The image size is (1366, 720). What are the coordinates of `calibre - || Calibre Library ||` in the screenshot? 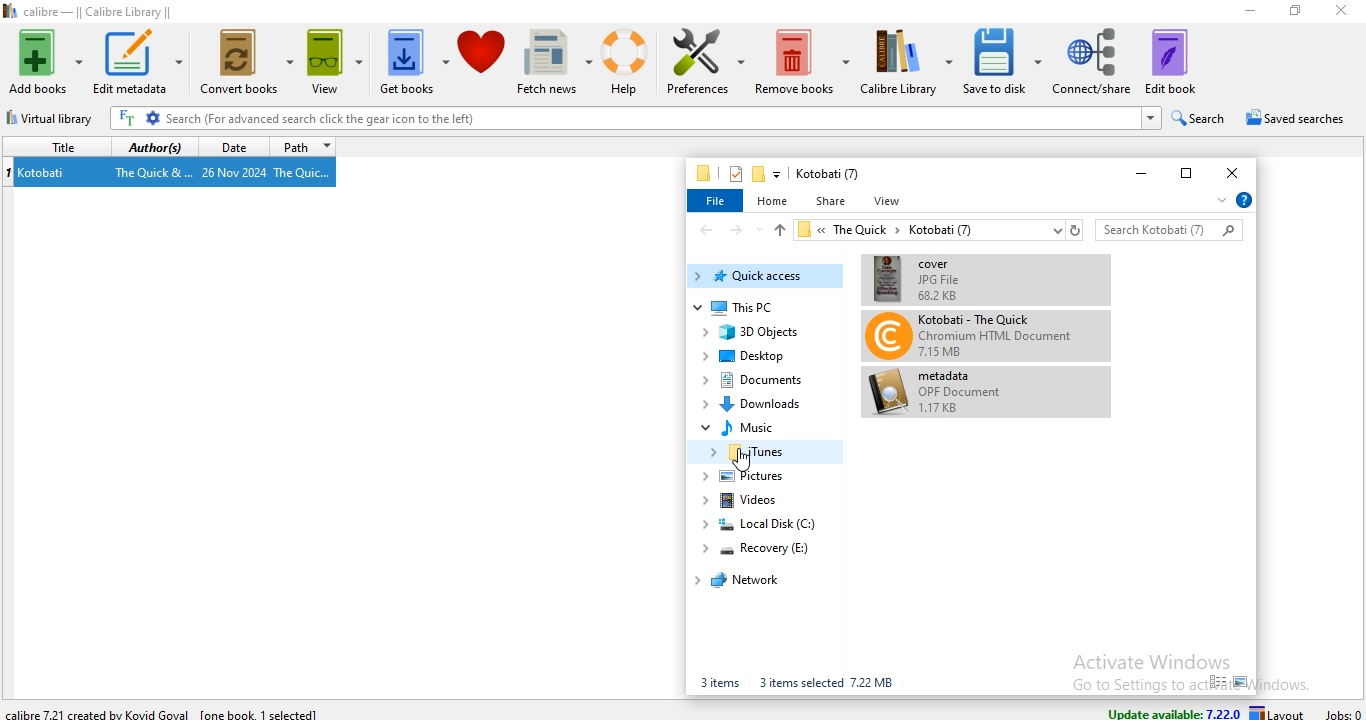 It's located at (97, 10).